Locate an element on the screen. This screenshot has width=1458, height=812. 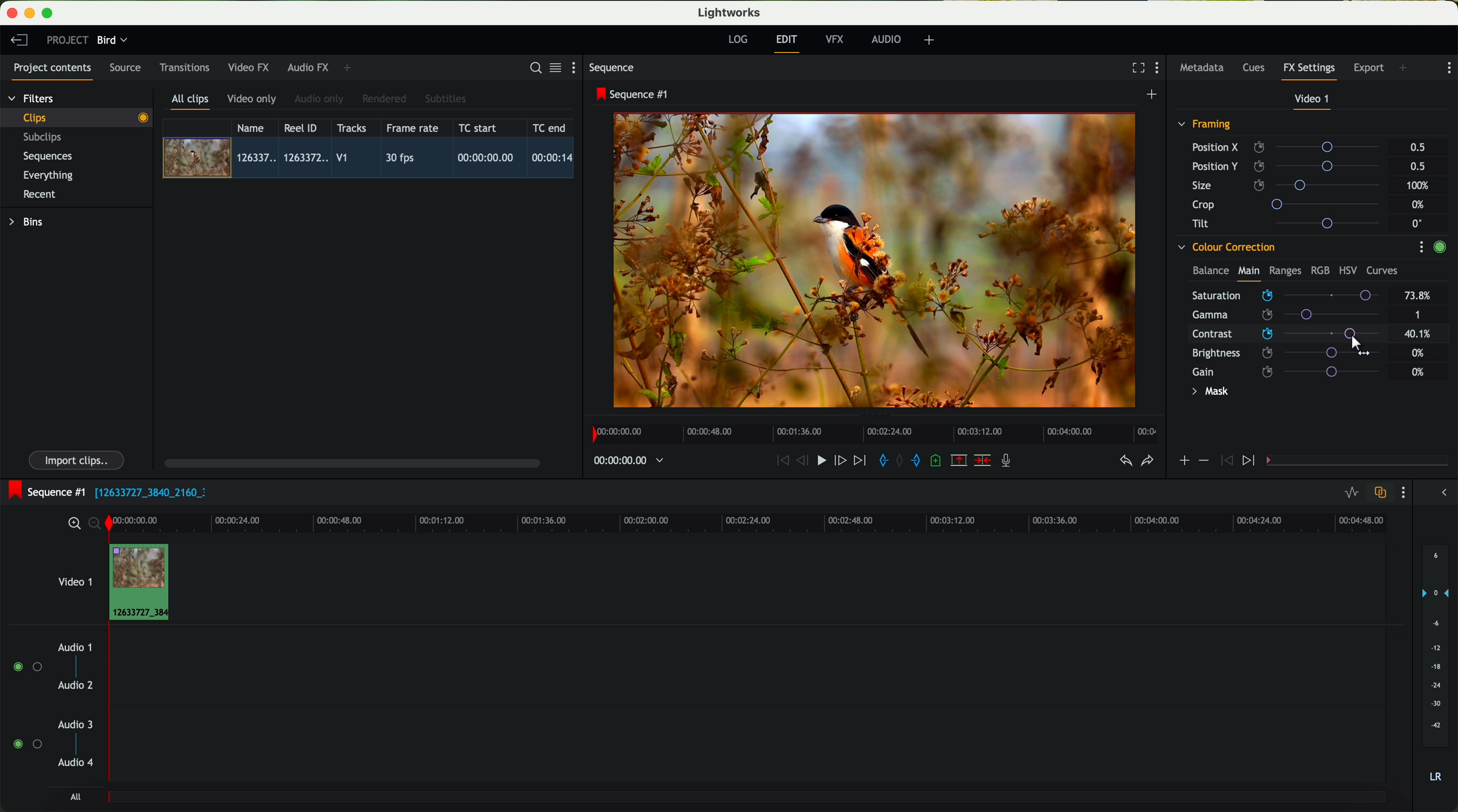
show settings menu is located at coordinates (1448, 68).